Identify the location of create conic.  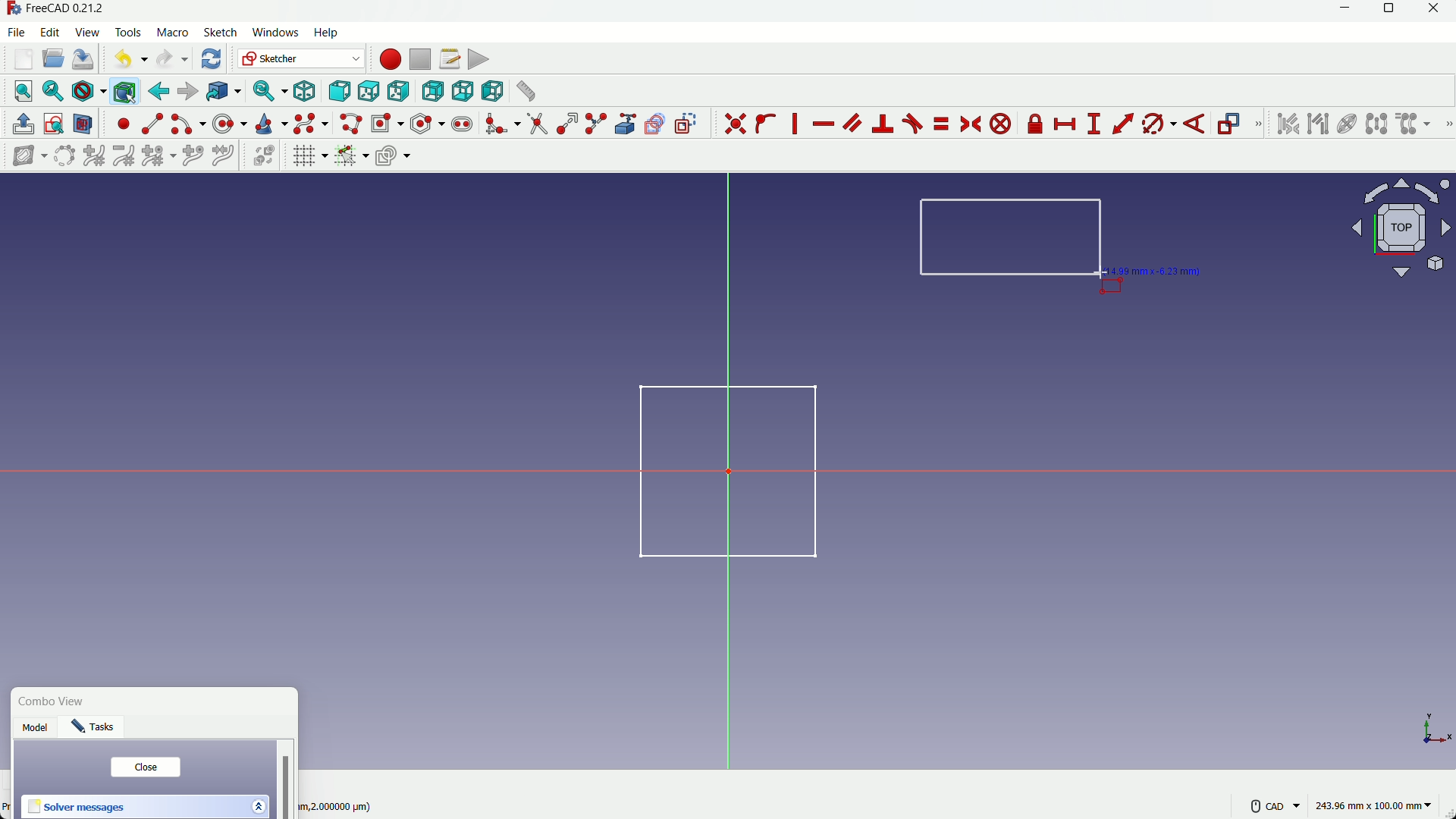
(270, 123).